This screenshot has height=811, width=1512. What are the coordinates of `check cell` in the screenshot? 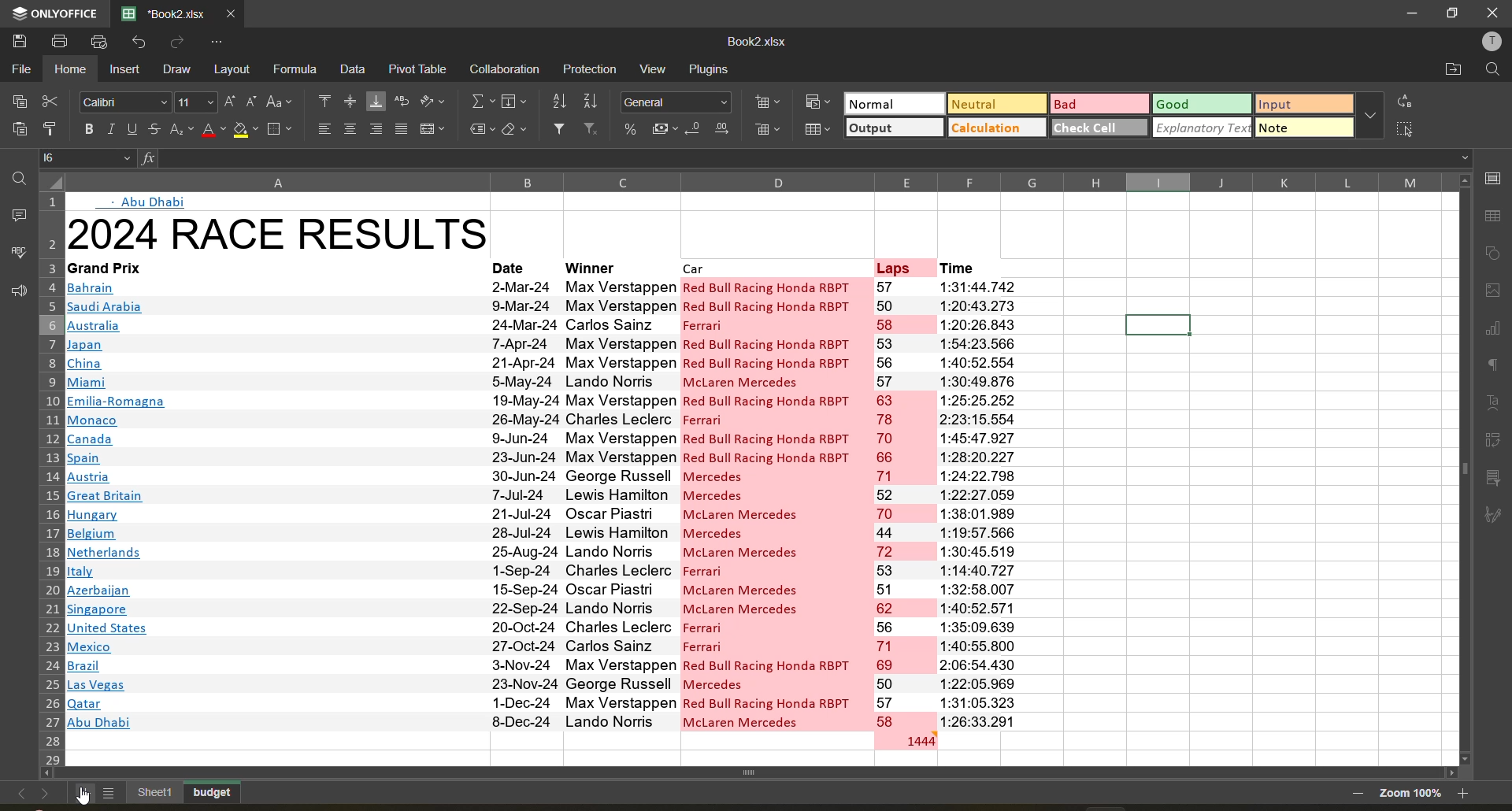 It's located at (1098, 128).